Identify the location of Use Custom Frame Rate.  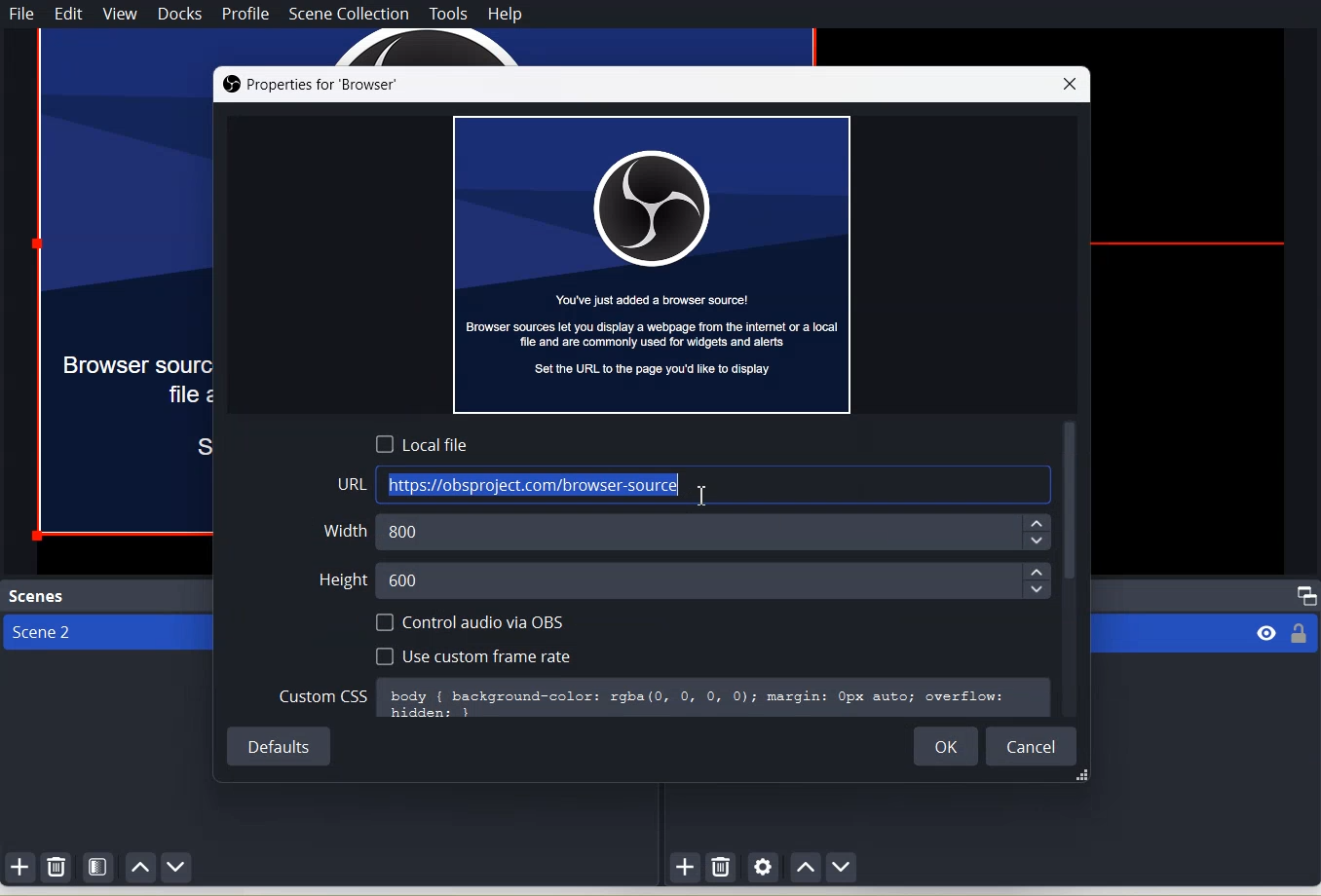
(473, 656).